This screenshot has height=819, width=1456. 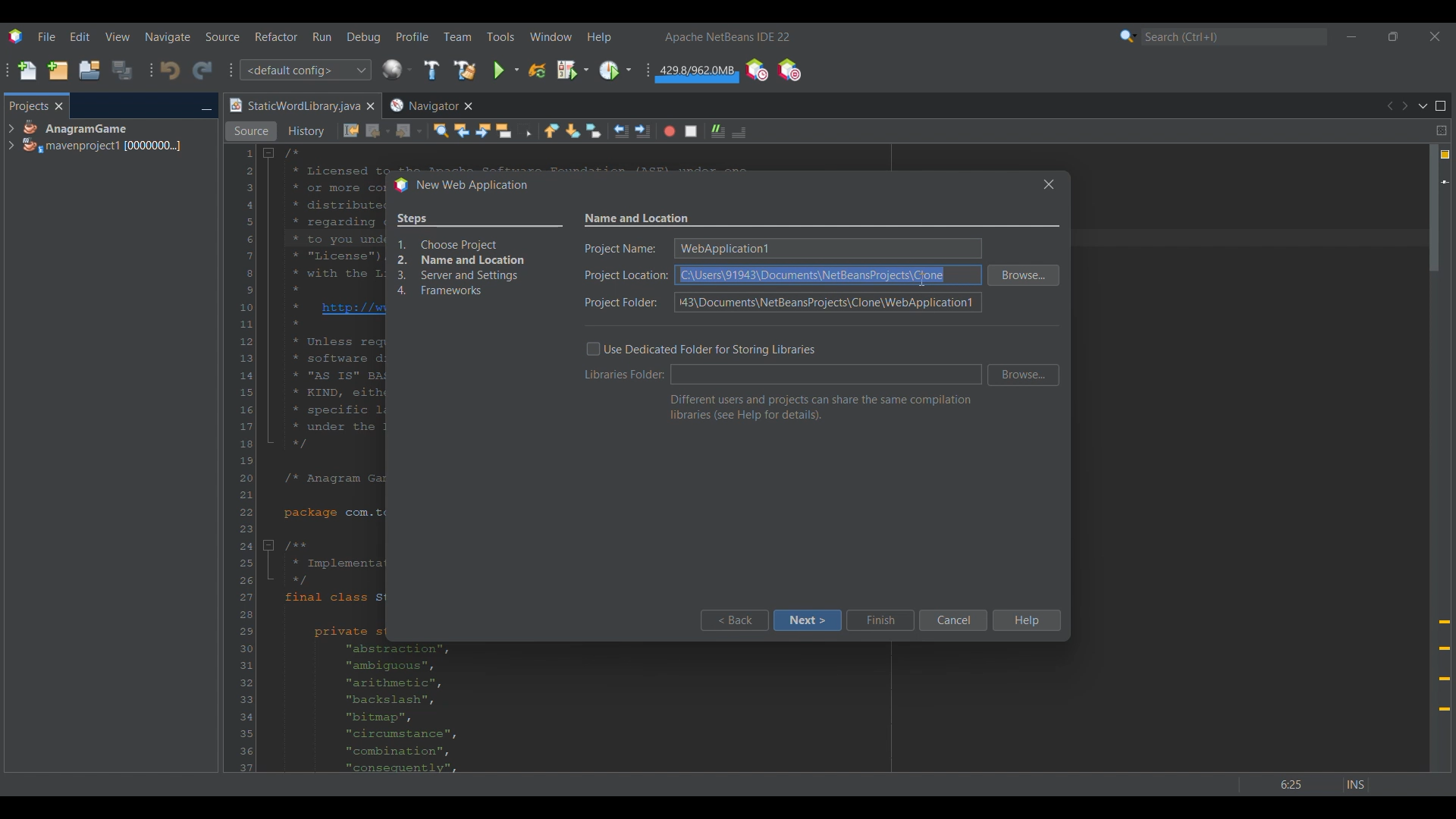 I want to click on Window menu, so click(x=551, y=36).